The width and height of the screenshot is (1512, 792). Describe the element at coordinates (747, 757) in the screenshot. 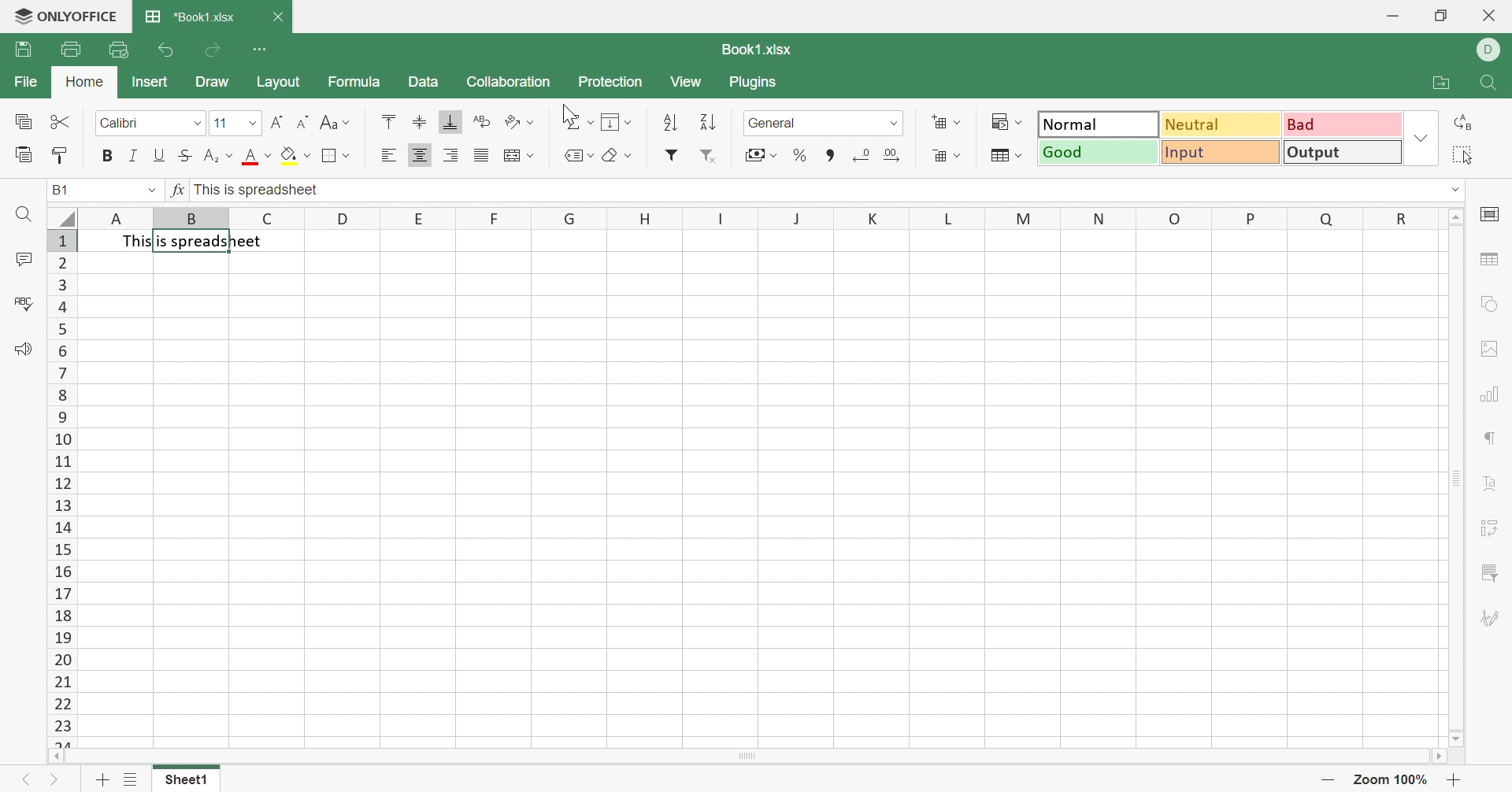

I see `Scroll Bar` at that location.